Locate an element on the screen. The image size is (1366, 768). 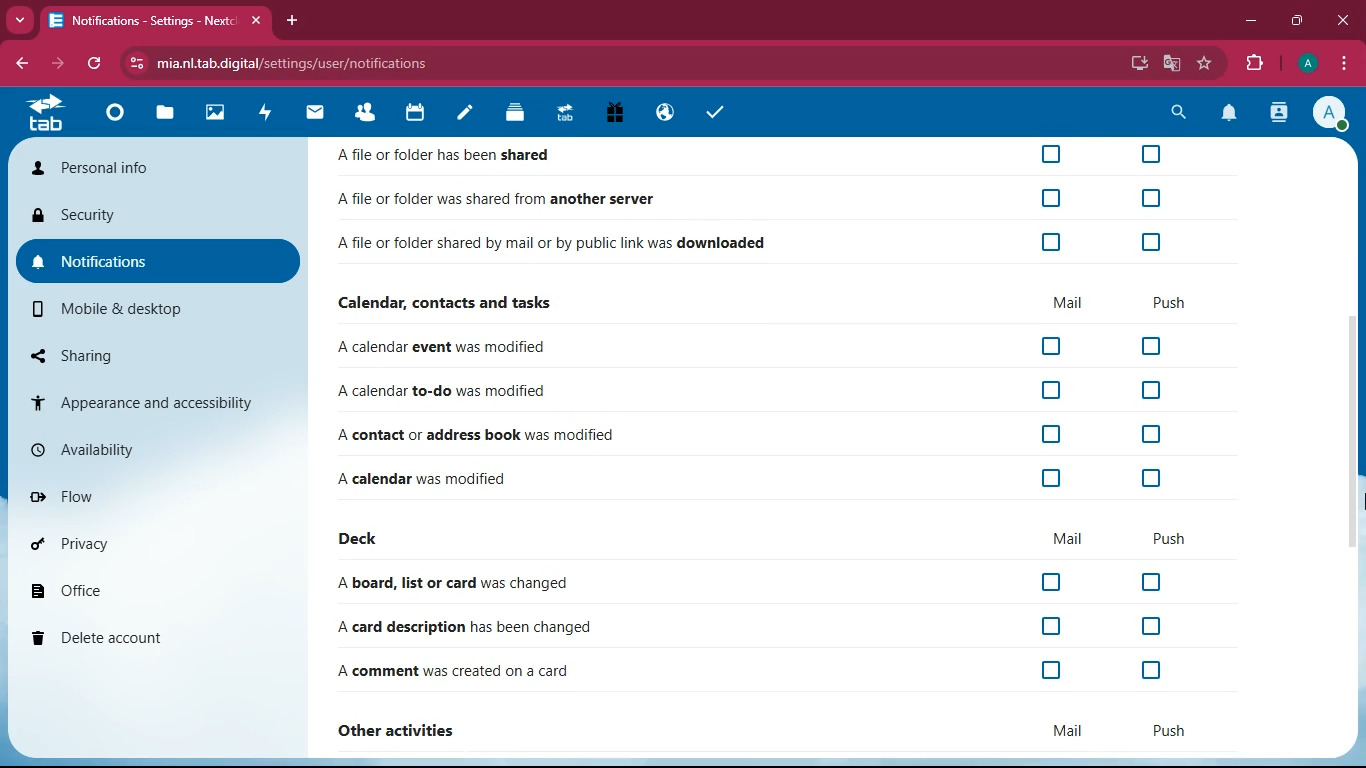
search is located at coordinates (1178, 111).